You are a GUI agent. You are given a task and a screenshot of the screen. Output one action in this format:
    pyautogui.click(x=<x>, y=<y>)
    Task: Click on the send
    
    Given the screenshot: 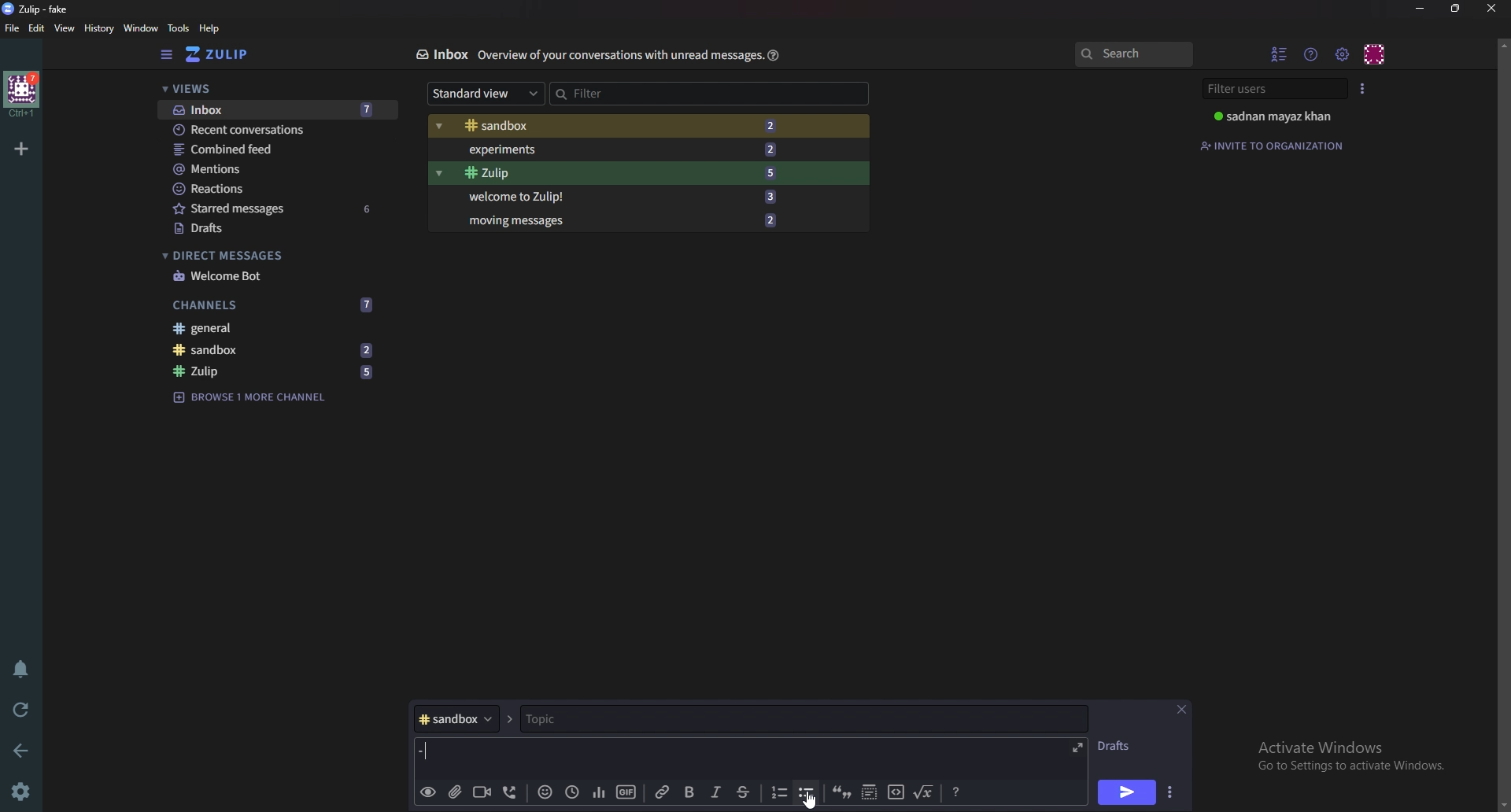 What is the action you would take?
    pyautogui.click(x=1125, y=794)
    